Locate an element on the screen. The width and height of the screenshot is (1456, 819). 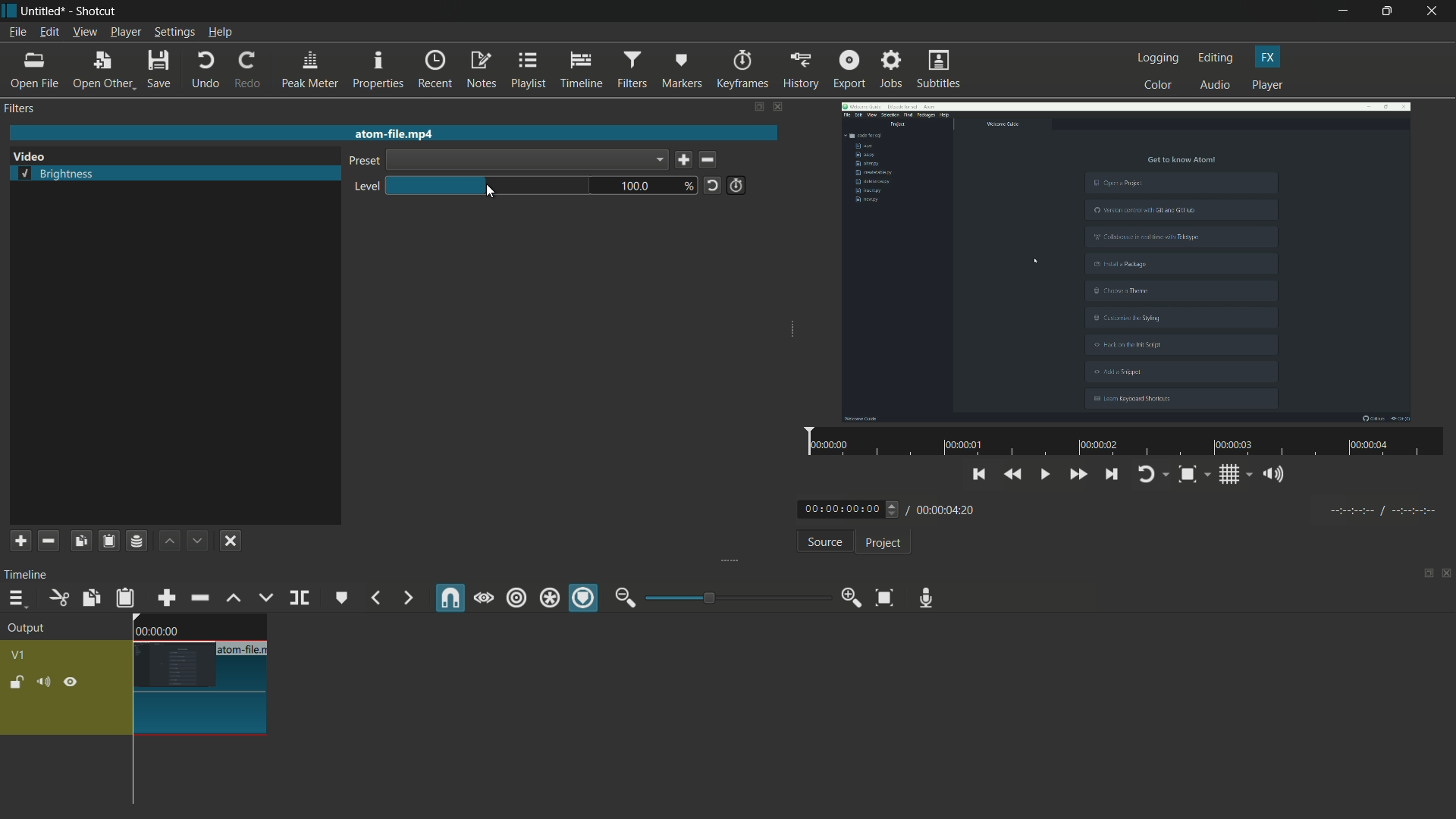
move filter up is located at coordinates (169, 541).